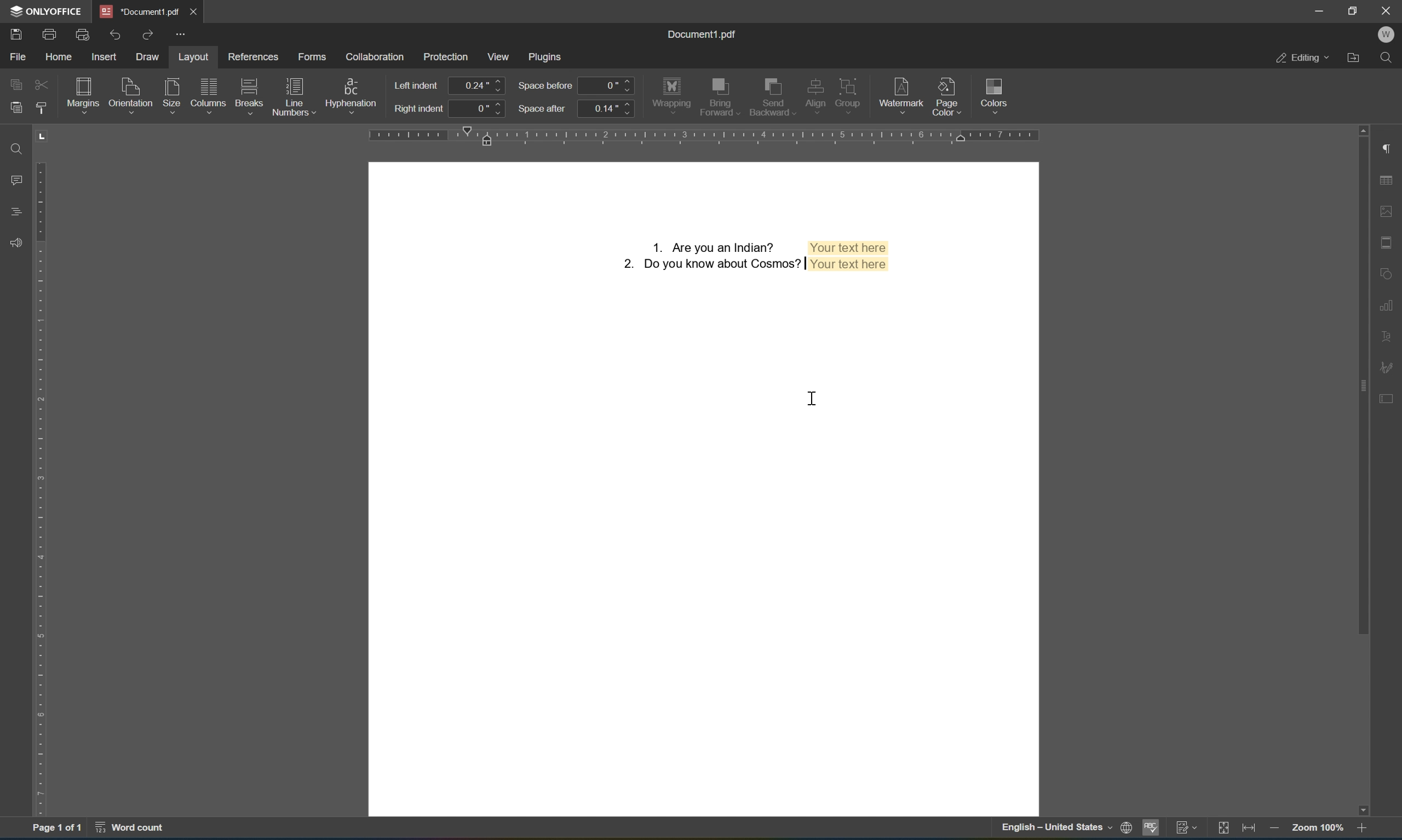 The height and width of the screenshot is (840, 1402). What do you see at coordinates (1249, 830) in the screenshot?
I see `fit to width` at bounding box center [1249, 830].